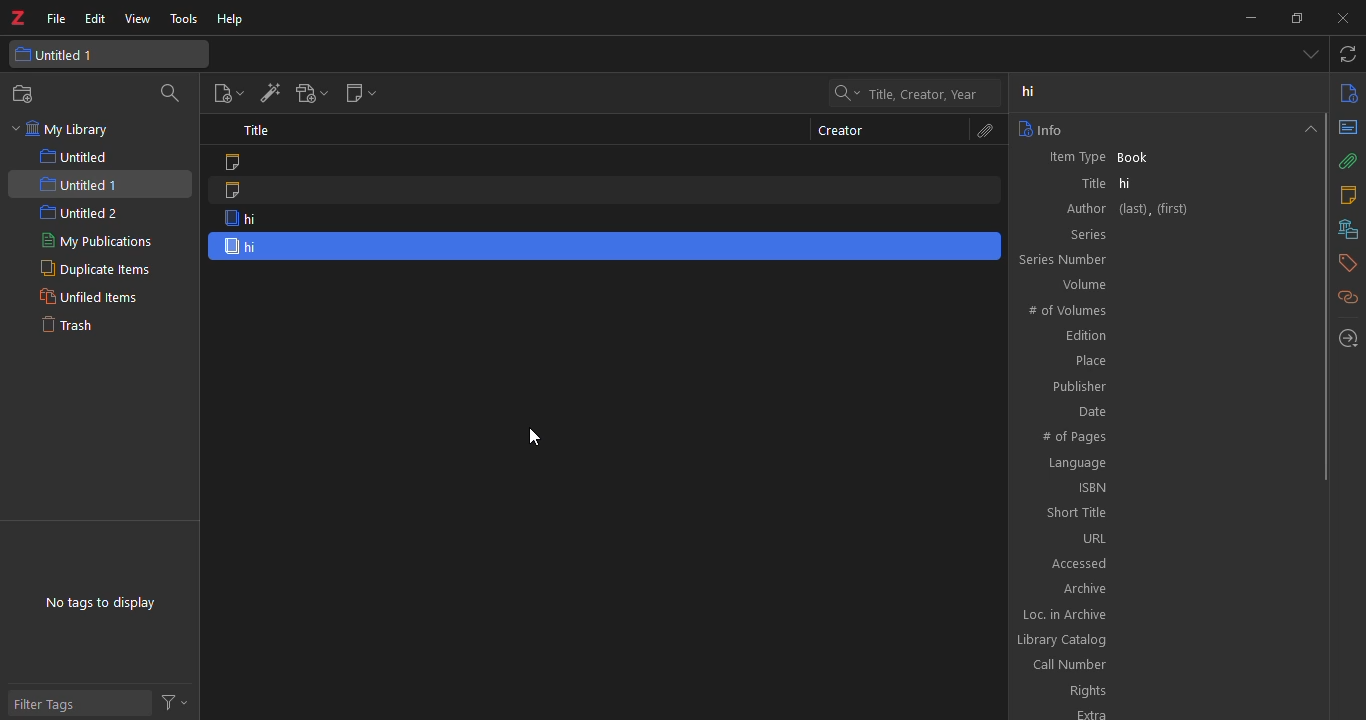 This screenshot has height=720, width=1366. What do you see at coordinates (1064, 614) in the screenshot?
I see `Loc. in archive` at bounding box center [1064, 614].